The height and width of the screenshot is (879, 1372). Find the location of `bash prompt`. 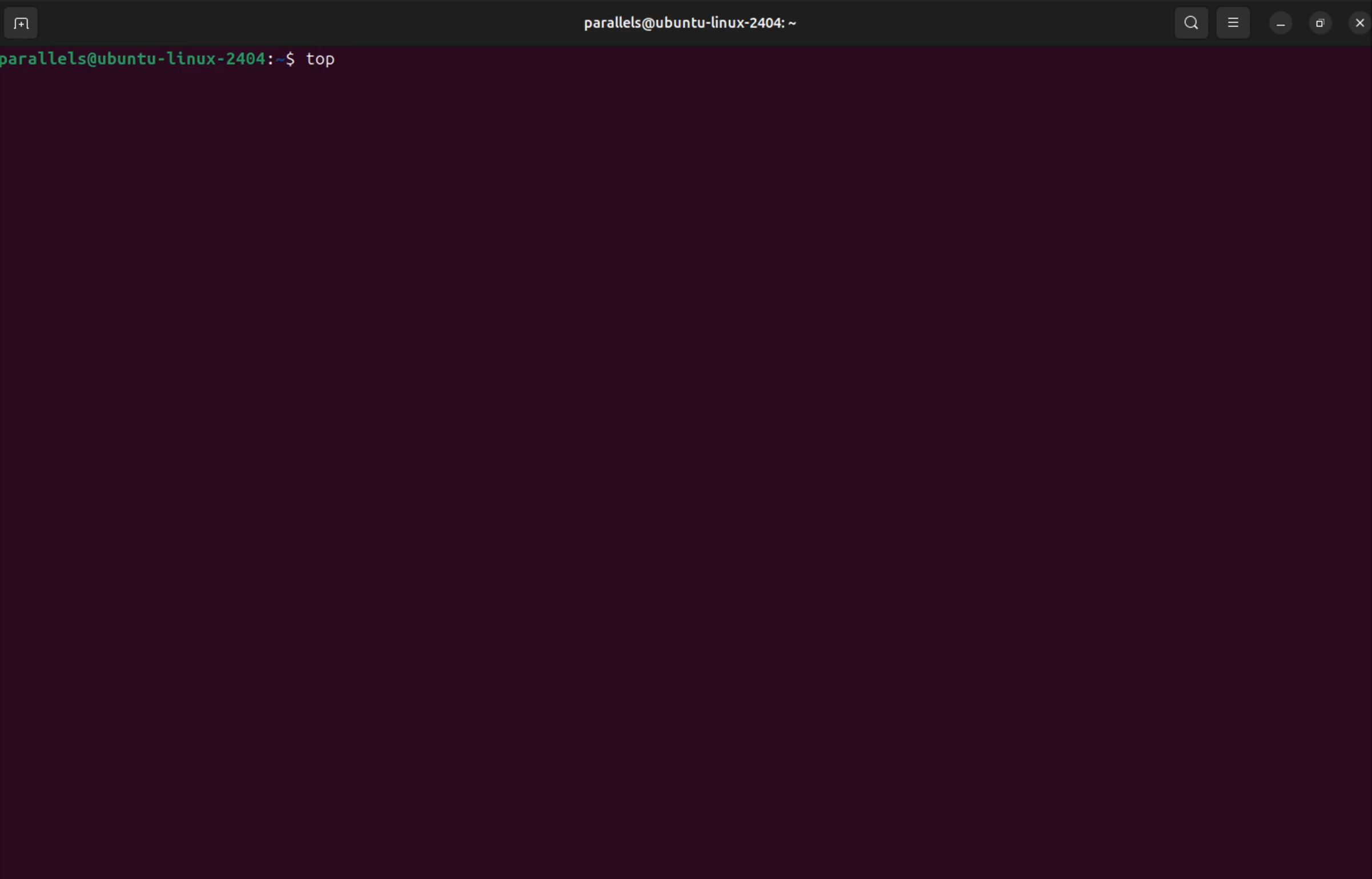

bash prompt is located at coordinates (1357, 23).